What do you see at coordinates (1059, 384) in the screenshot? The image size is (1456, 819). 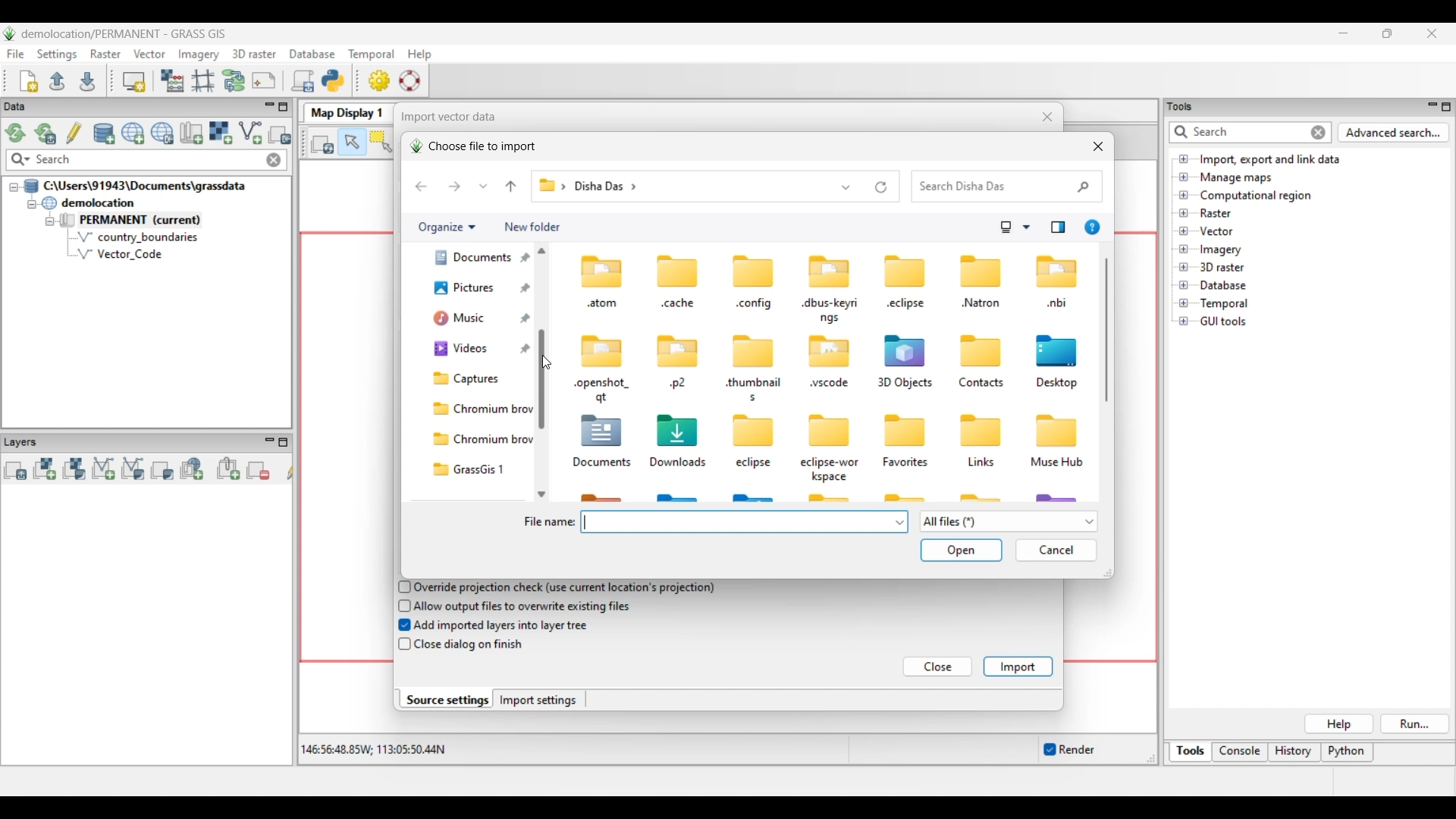 I see `Desktop` at bounding box center [1059, 384].